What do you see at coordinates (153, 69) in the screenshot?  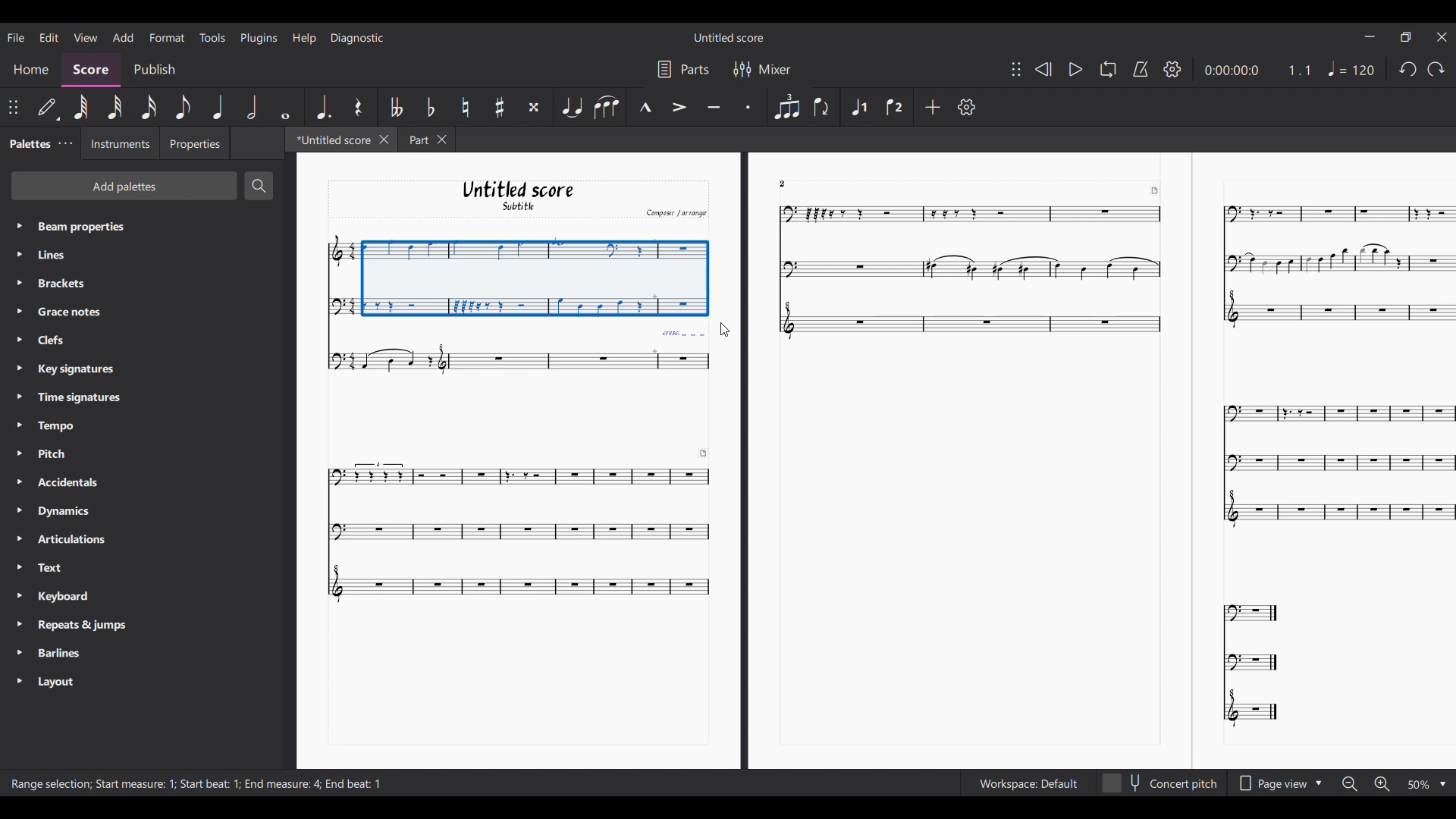 I see `Publish` at bounding box center [153, 69].